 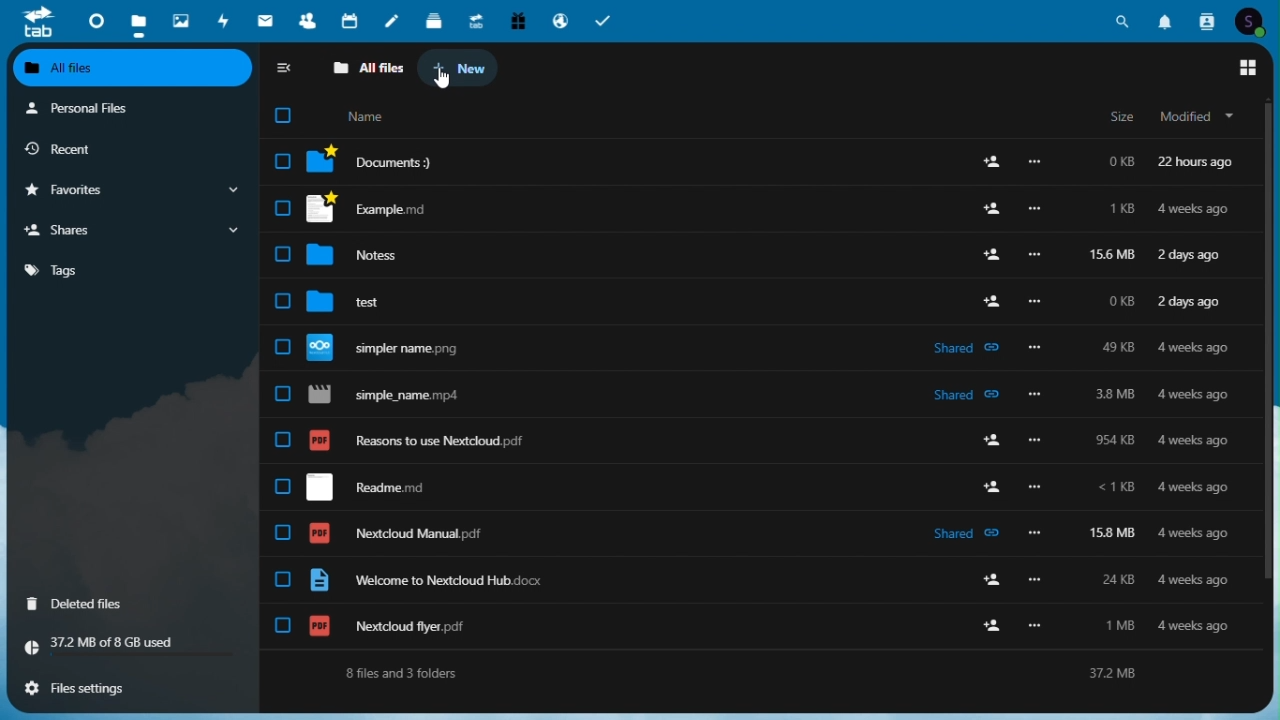 I want to click on check box, so click(x=282, y=532).